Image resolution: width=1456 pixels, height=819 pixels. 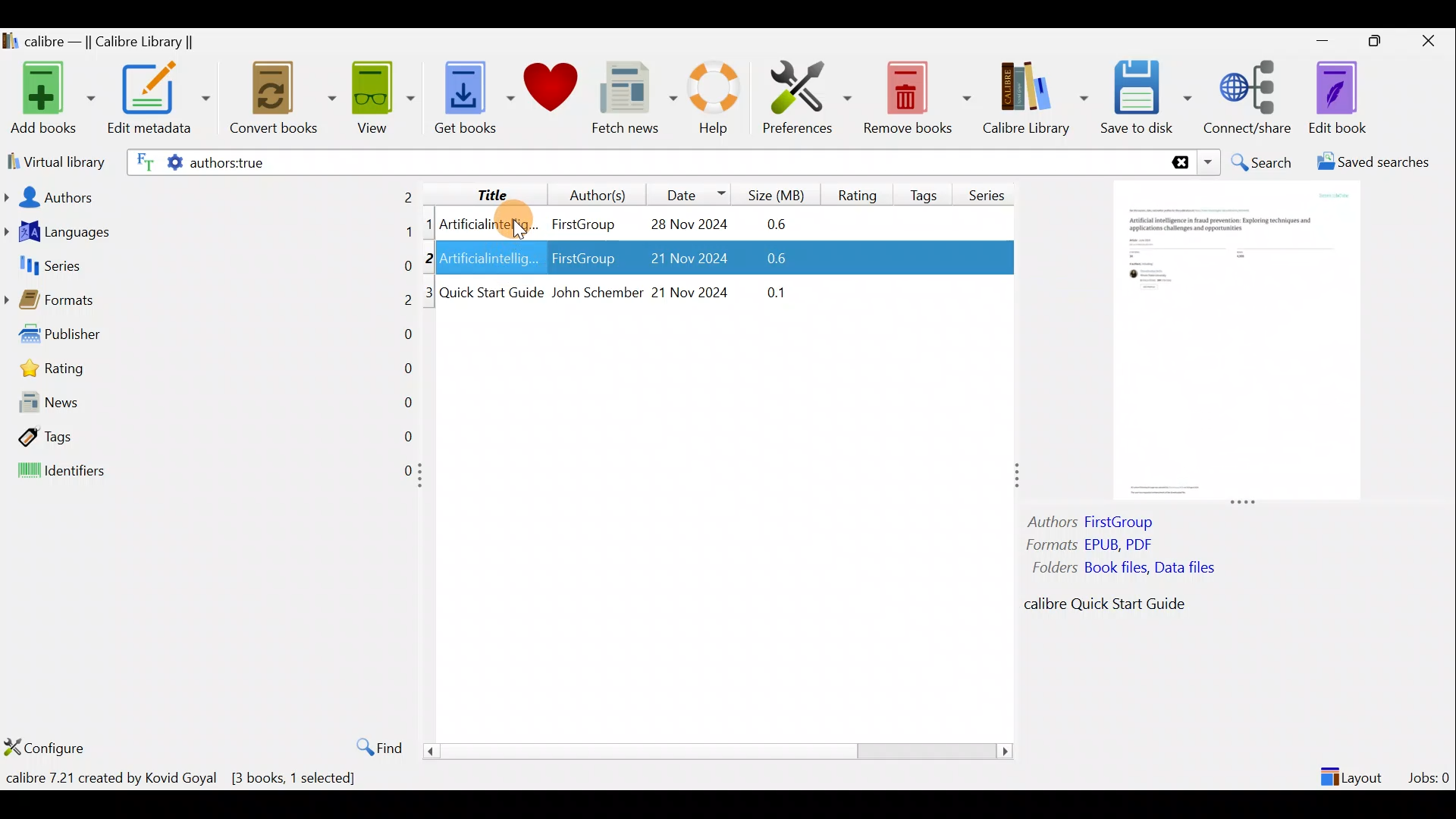 What do you see at coordinates (53, 160) in the screenshot?
I see `Virtual library` at bounding box center [53, 160].